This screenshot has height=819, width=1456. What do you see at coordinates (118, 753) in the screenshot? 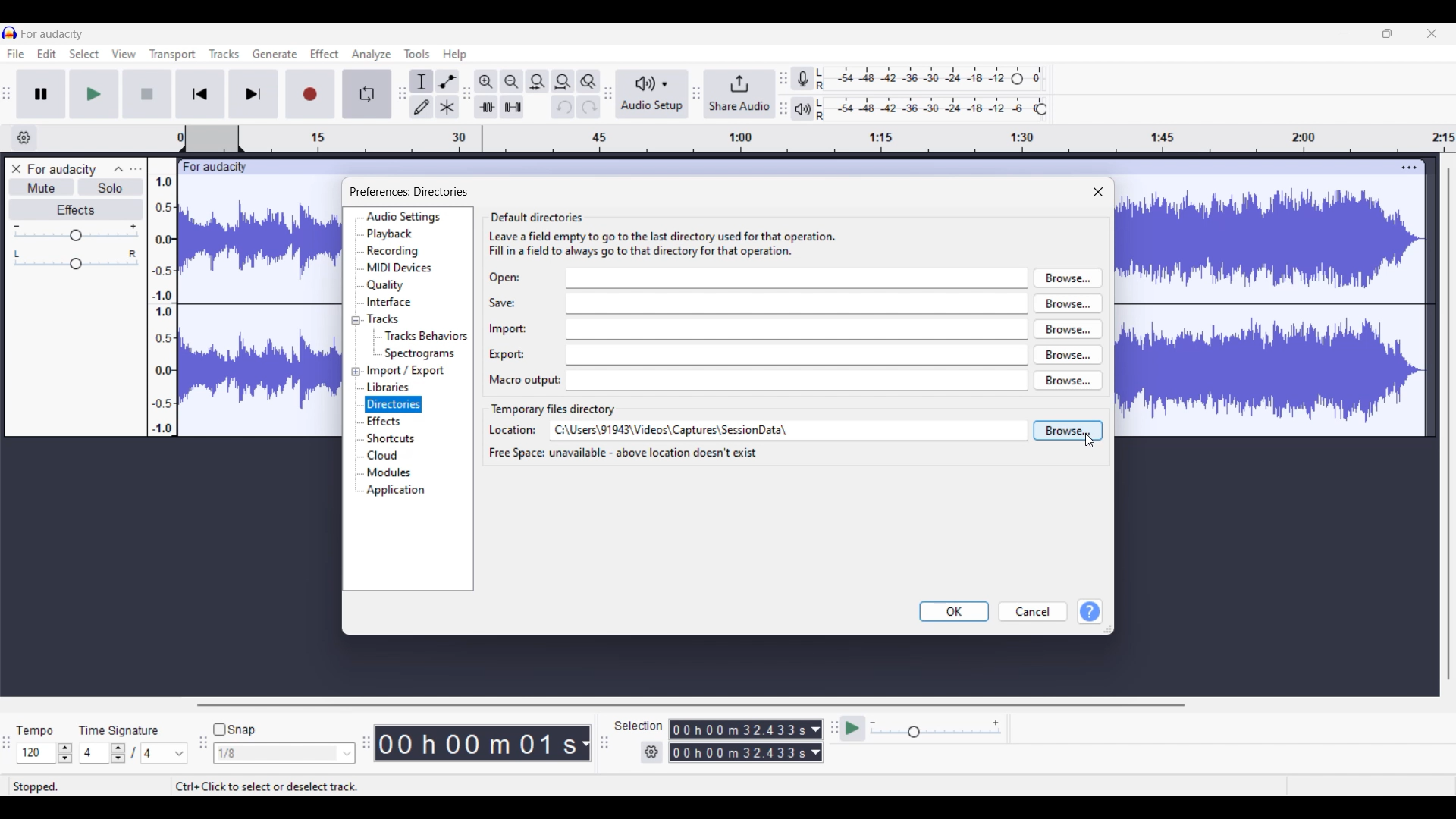
I see `Increase/Decrease number` at bounding box center [118, 753].